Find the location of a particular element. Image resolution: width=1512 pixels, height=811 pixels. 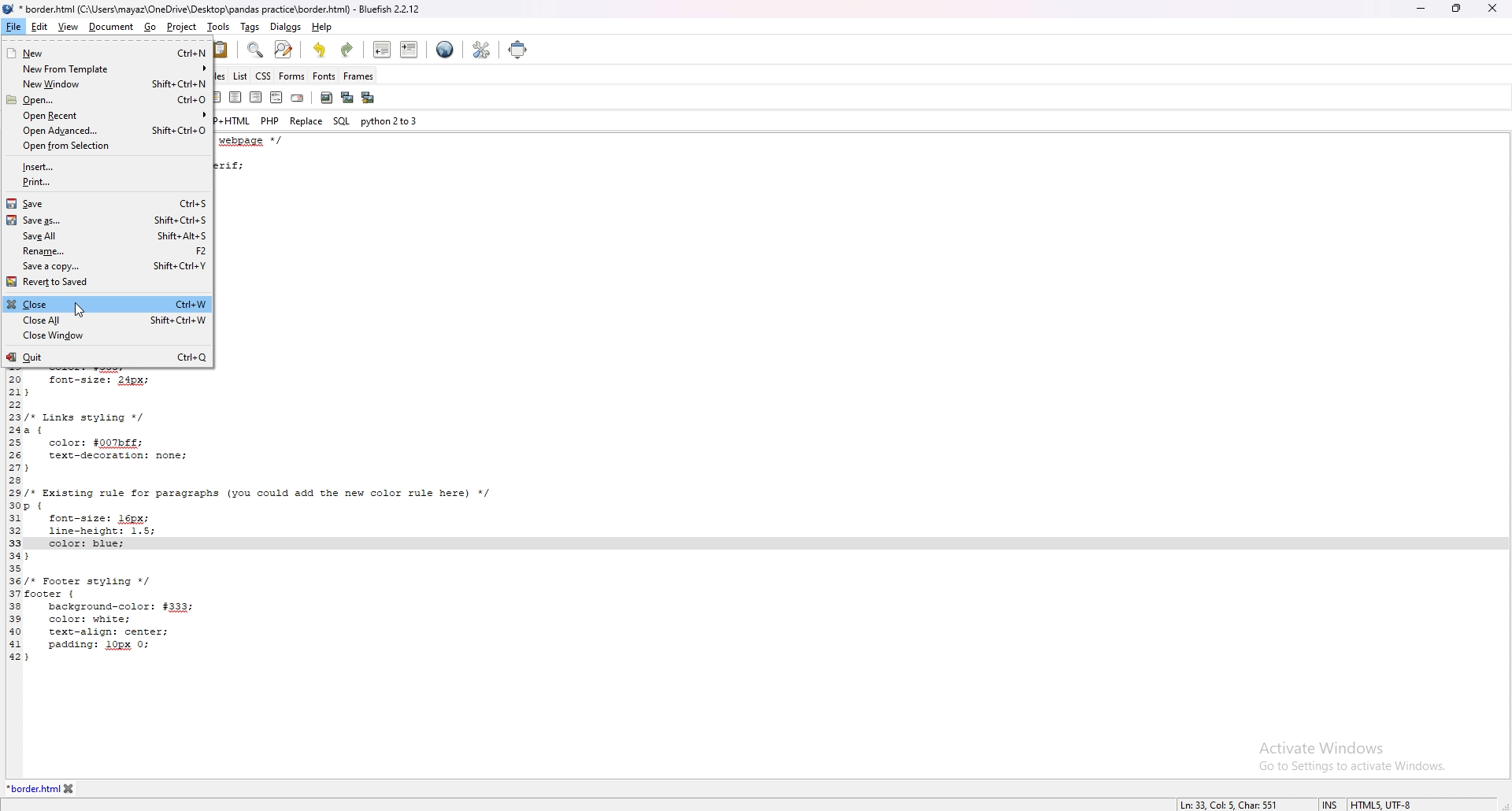

save as is located at coordinates (107, 220).